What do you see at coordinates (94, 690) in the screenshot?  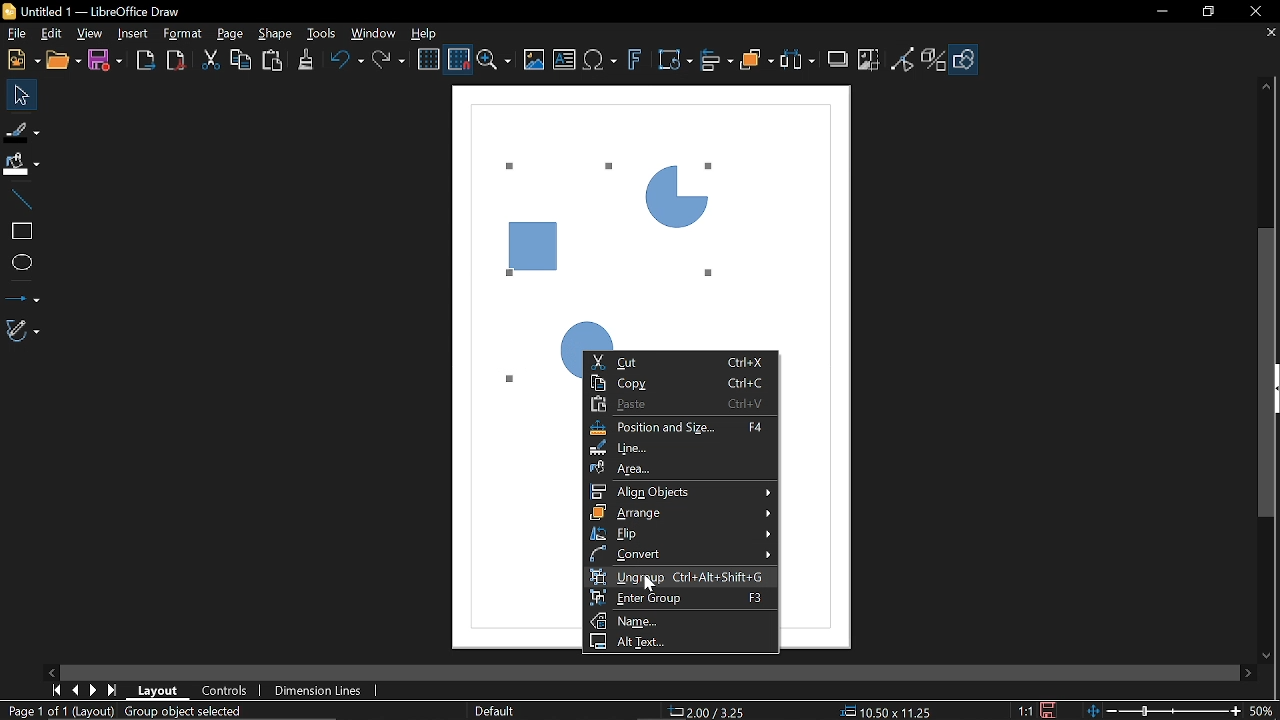 I see `Next page` at bounding box center [94, 690].